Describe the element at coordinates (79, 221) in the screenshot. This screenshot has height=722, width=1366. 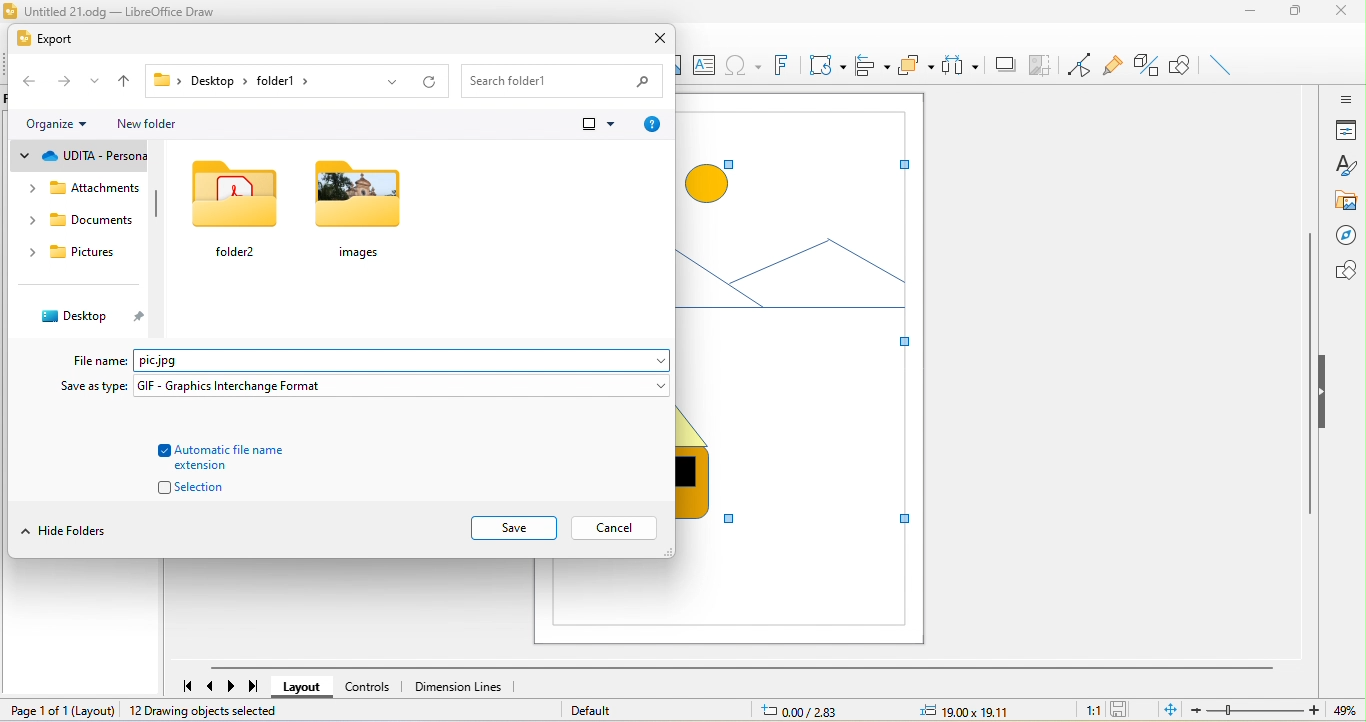
I see ` Documents` at that location.